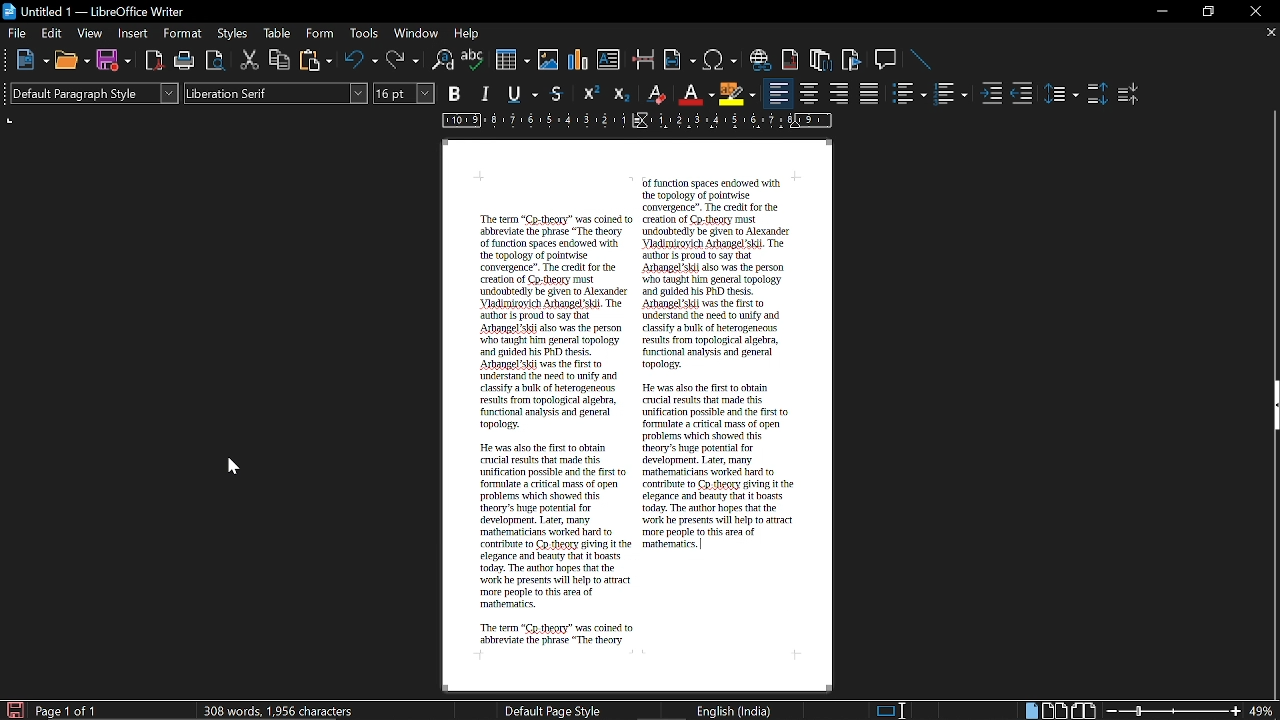  I want to click on Insert field, so click(679, 61).